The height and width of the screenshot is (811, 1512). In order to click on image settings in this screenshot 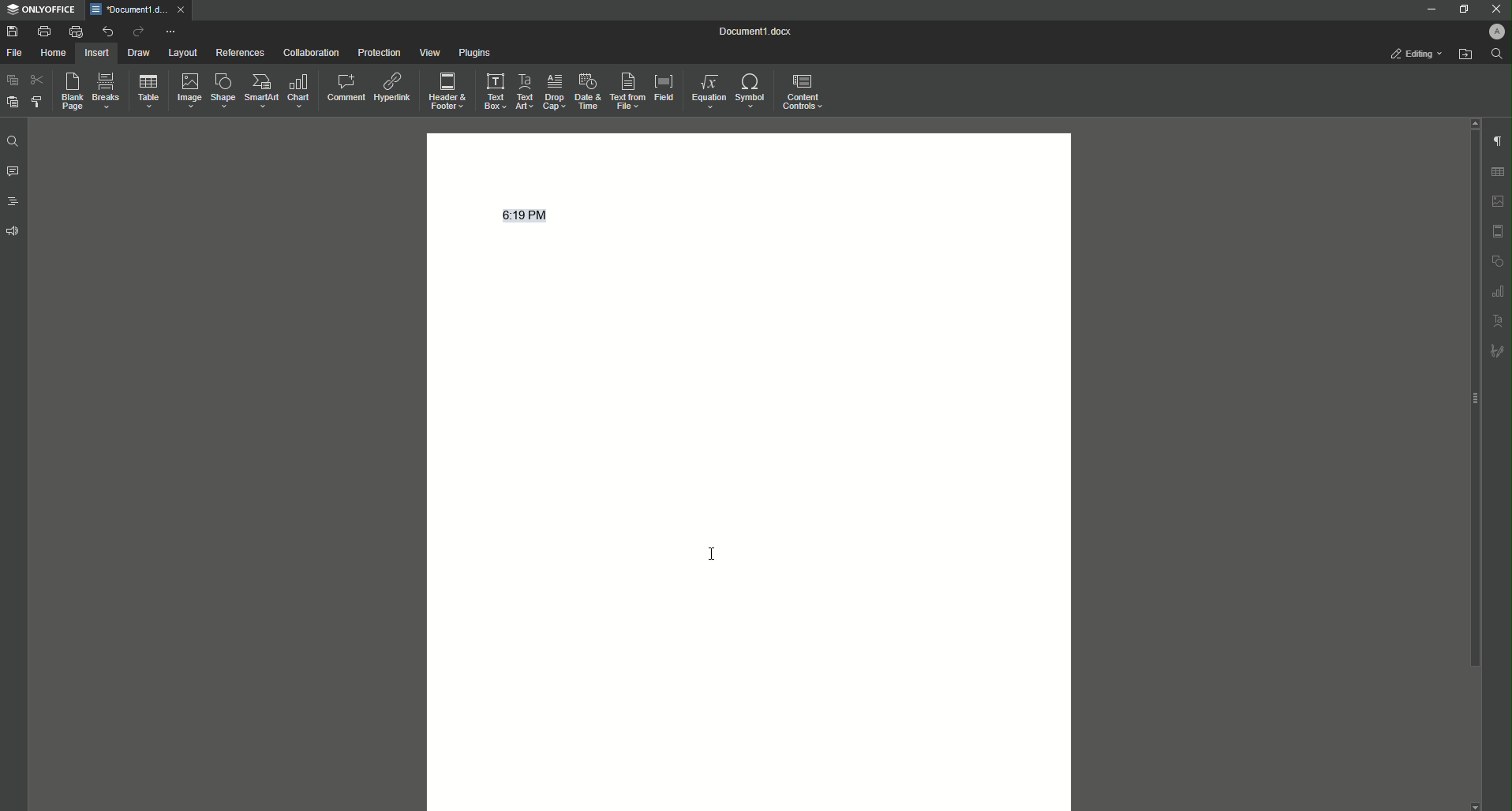, I will do `click(1499, 201)`.